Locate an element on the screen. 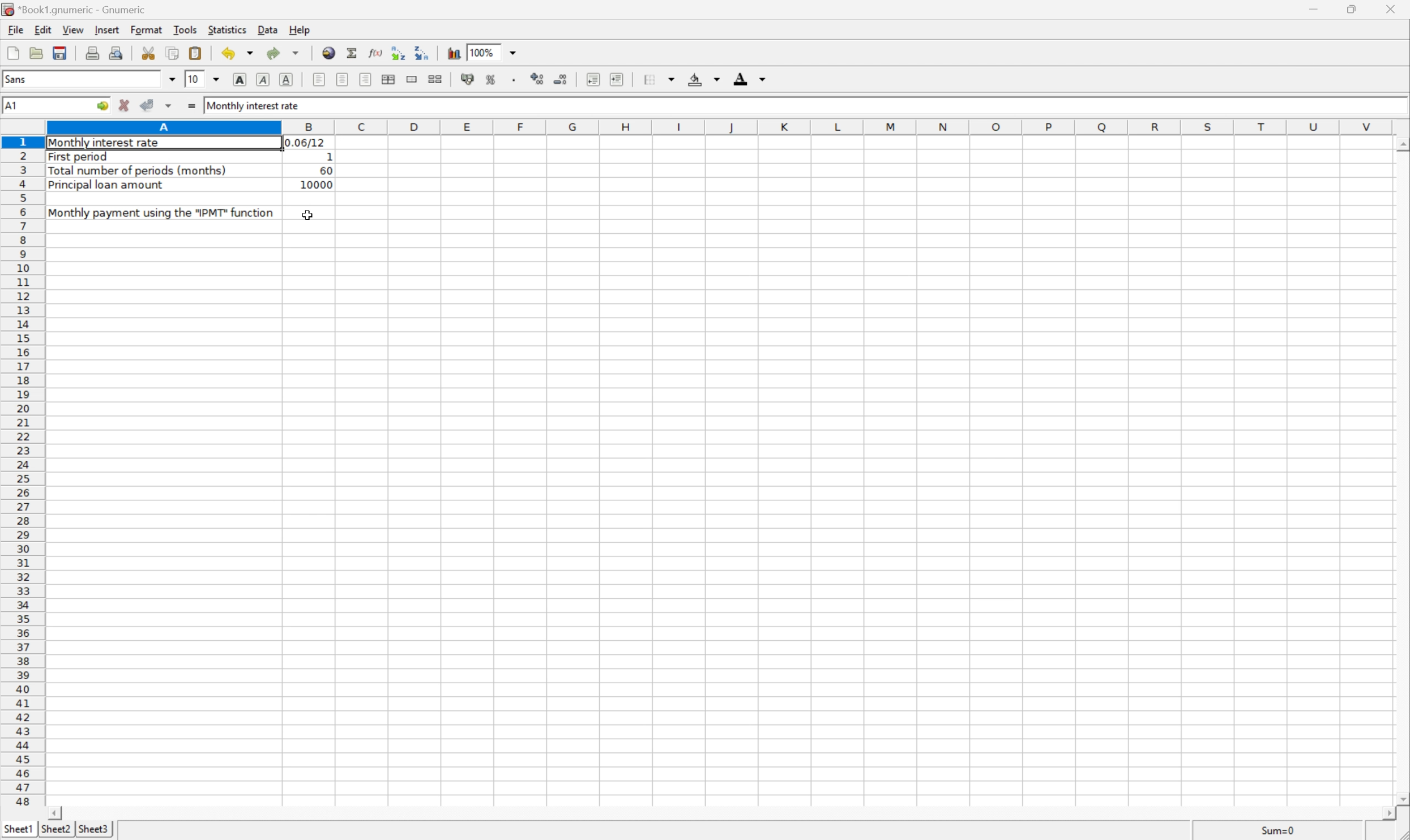 The height and width of the screenshot is (840, 1410). Insert a chart is located at coordinates (454, 53).